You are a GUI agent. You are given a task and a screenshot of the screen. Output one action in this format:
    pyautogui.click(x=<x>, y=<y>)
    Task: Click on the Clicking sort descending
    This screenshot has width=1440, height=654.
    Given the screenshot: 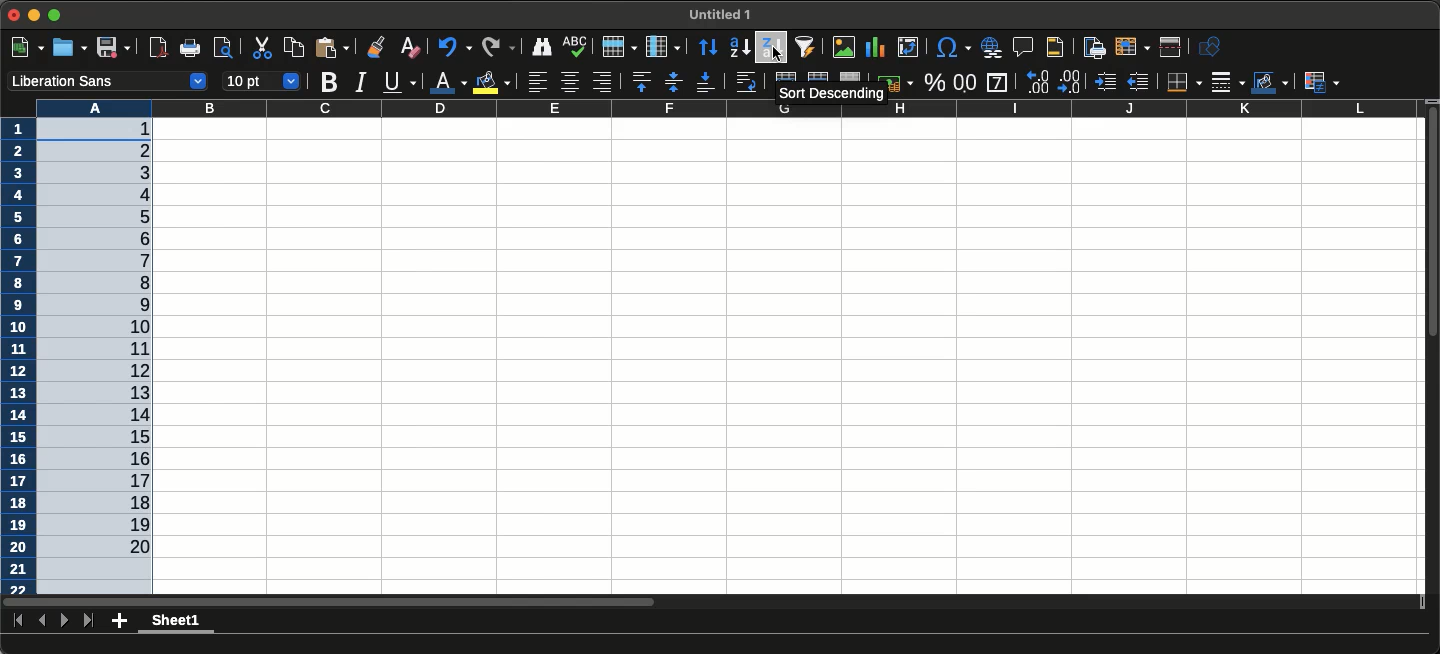 What is the action you would take?
    pyautogui.click(x=771, y=46)
    